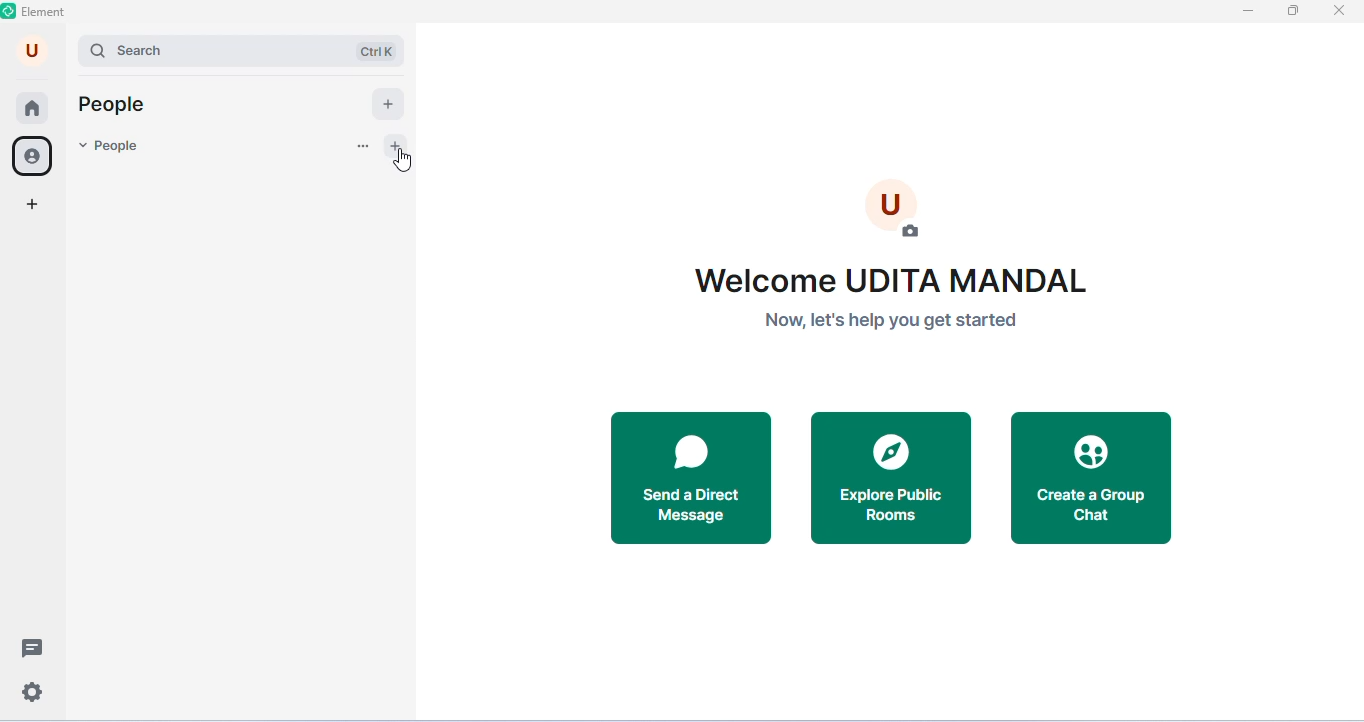  I want to click on start chat, so click(399, 146).